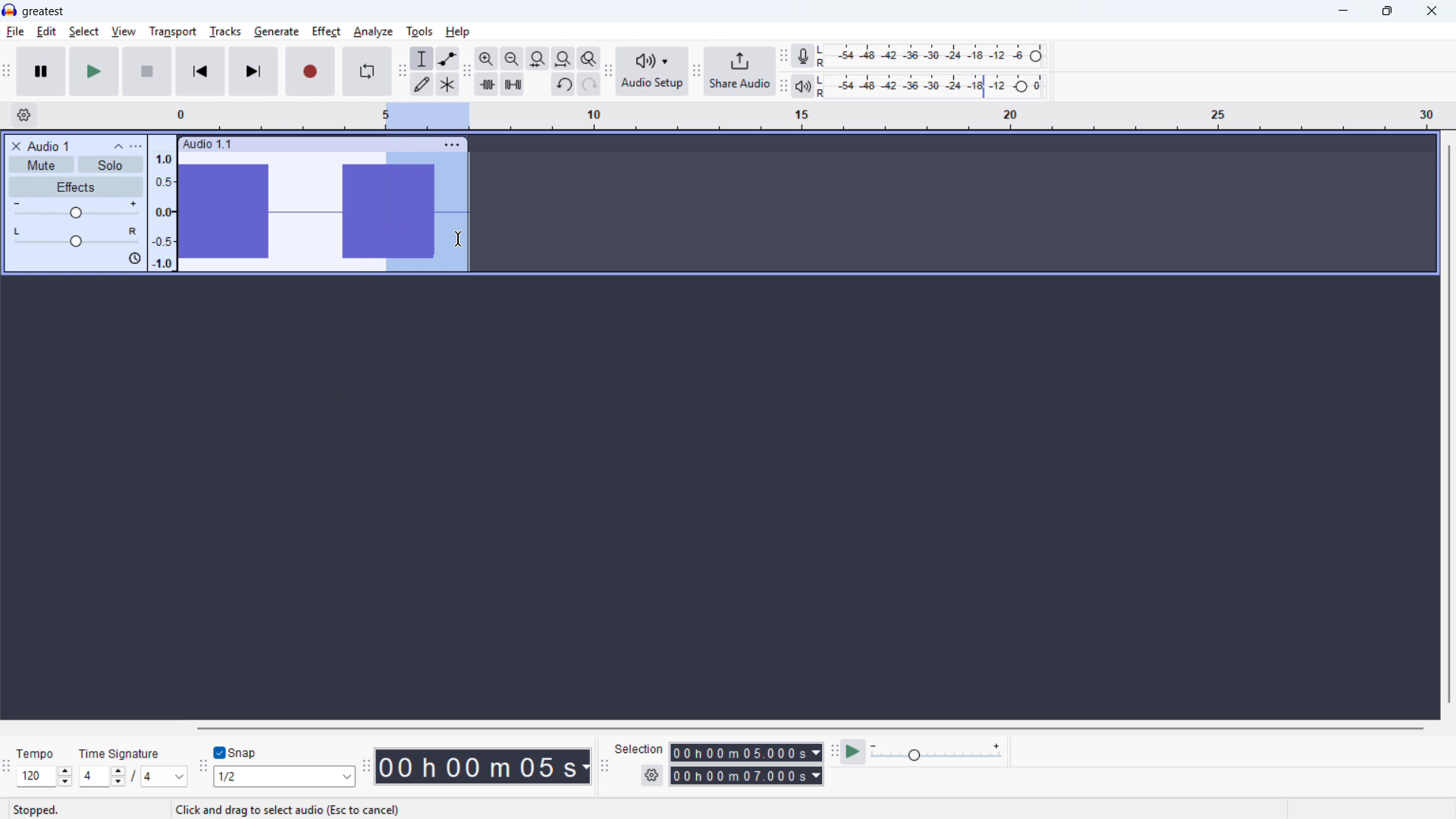  I want to click on Toggle snap , so click(238, 752).